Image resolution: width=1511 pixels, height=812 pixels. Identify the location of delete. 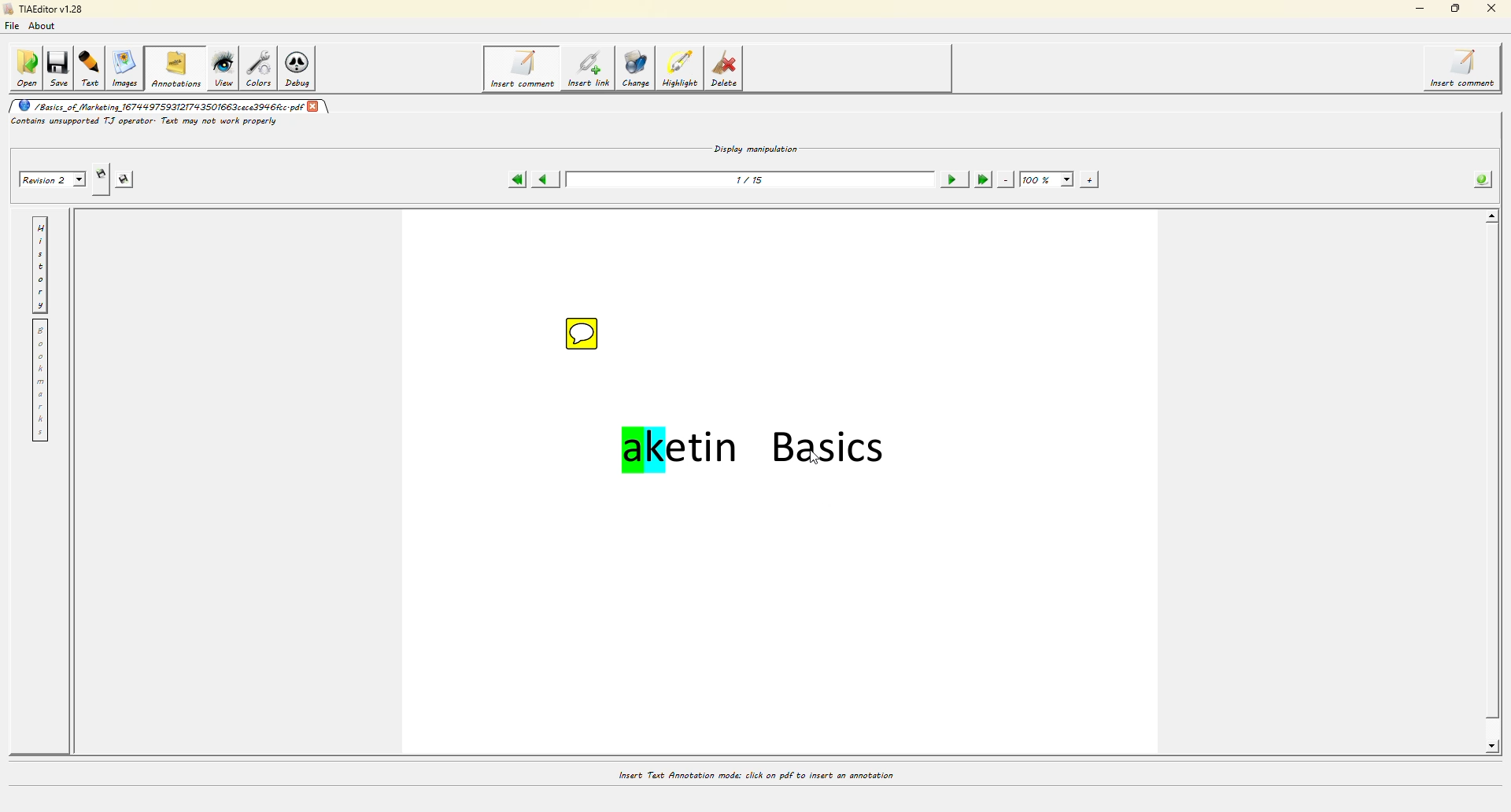
(728, 72).